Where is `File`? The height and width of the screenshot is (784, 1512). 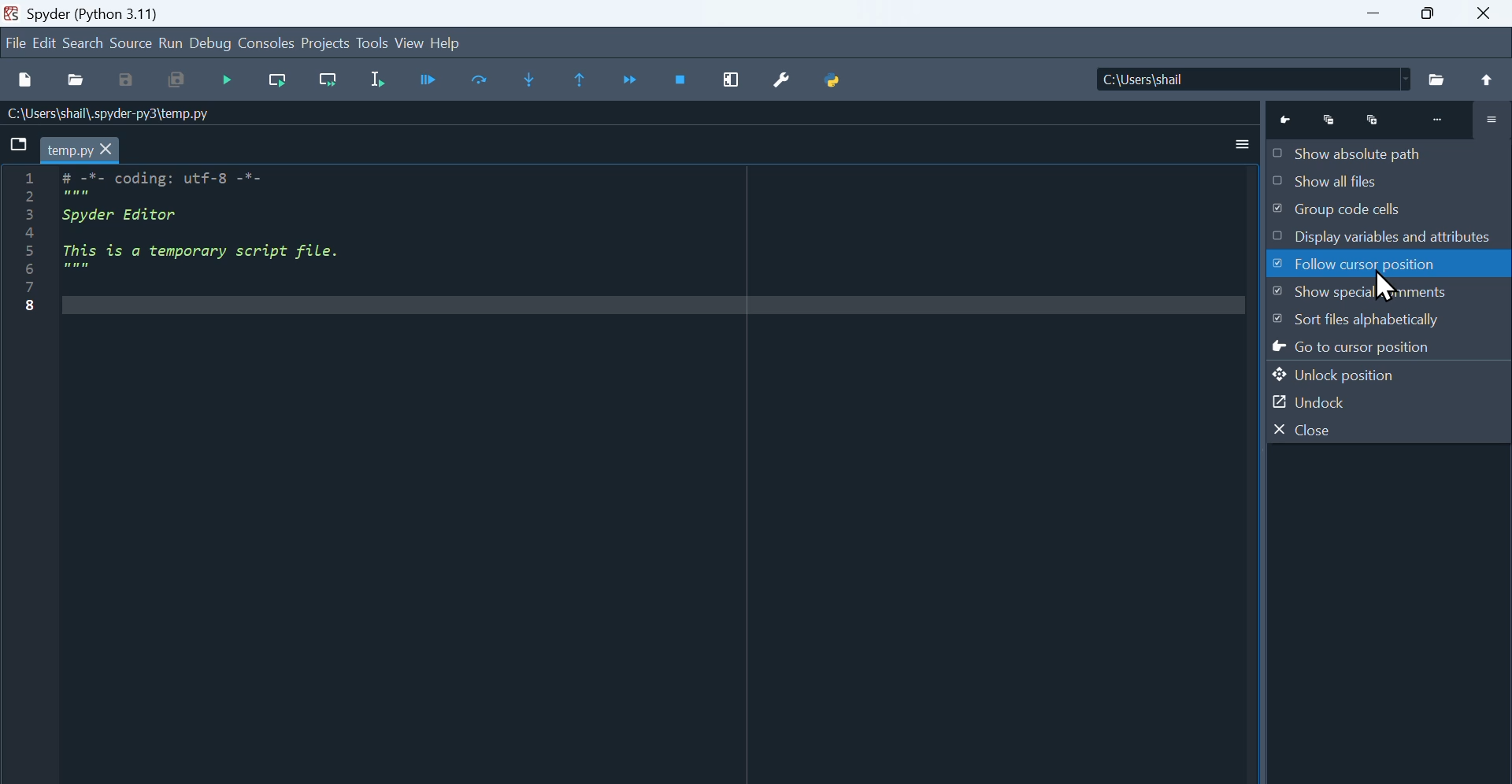 File is located at coordinates (16, 43).